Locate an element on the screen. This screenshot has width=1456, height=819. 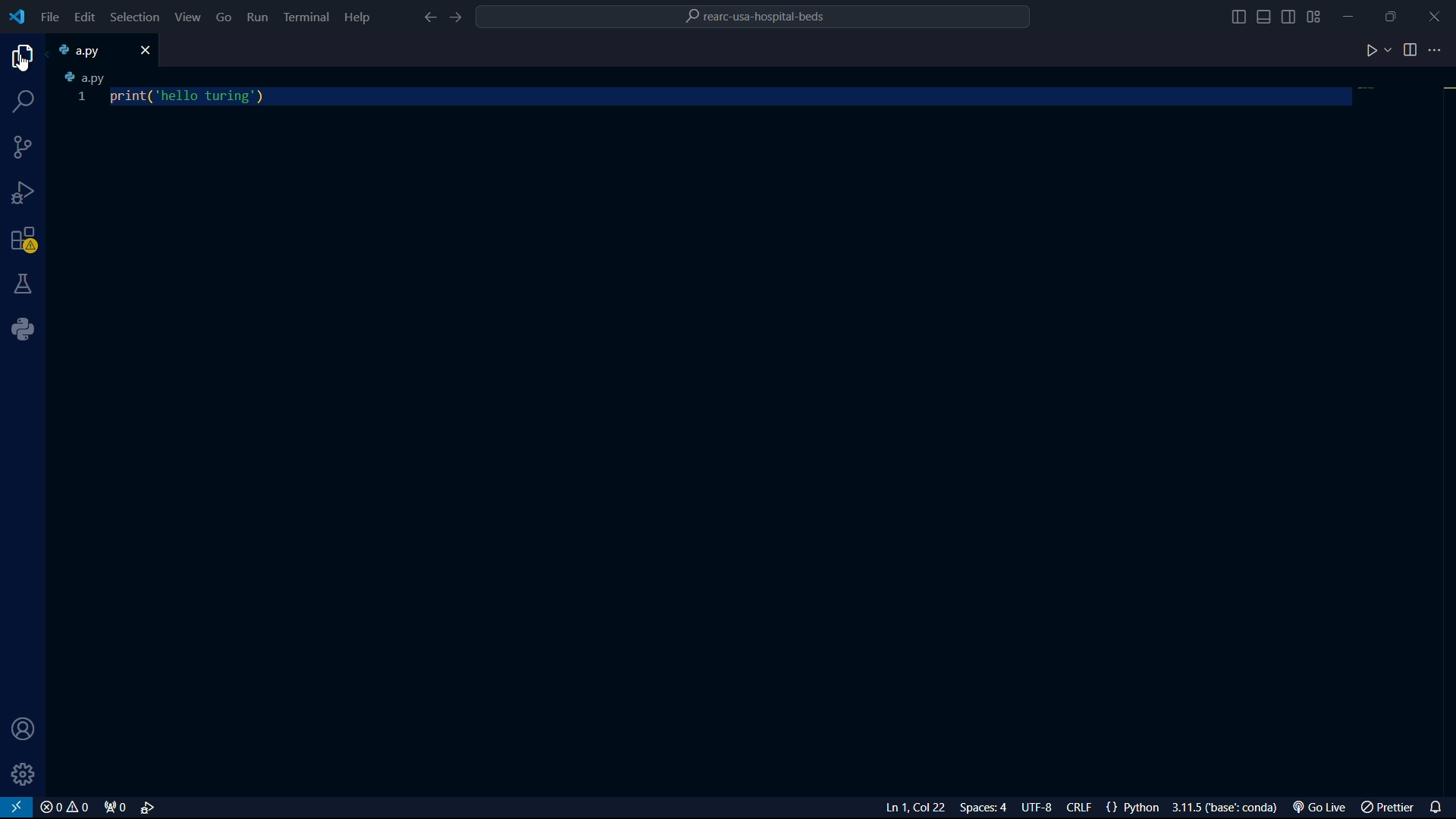
a.py is located at coordinates (86, 77).